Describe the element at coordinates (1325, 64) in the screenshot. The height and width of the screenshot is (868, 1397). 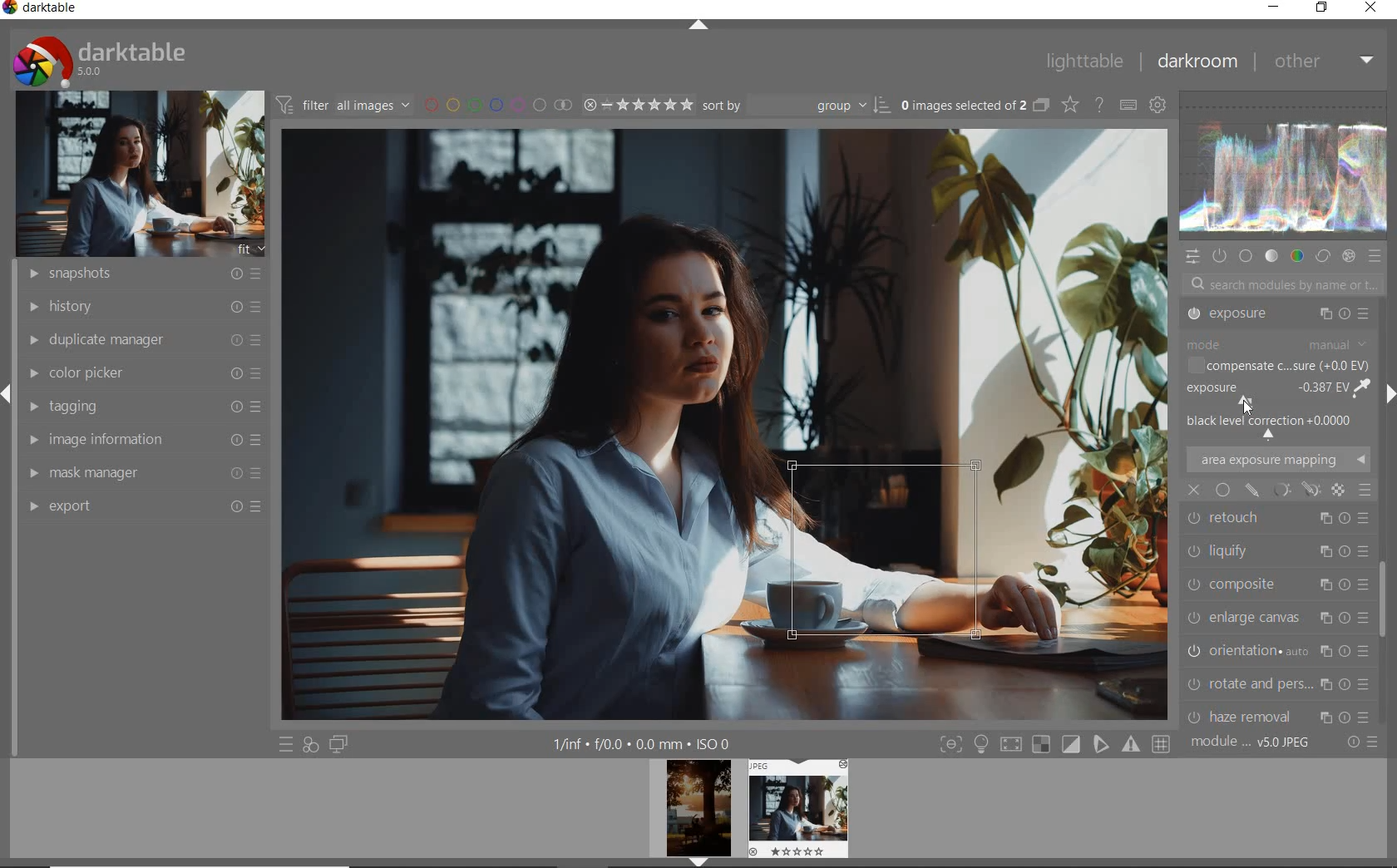
I see `OTHER` at that location.